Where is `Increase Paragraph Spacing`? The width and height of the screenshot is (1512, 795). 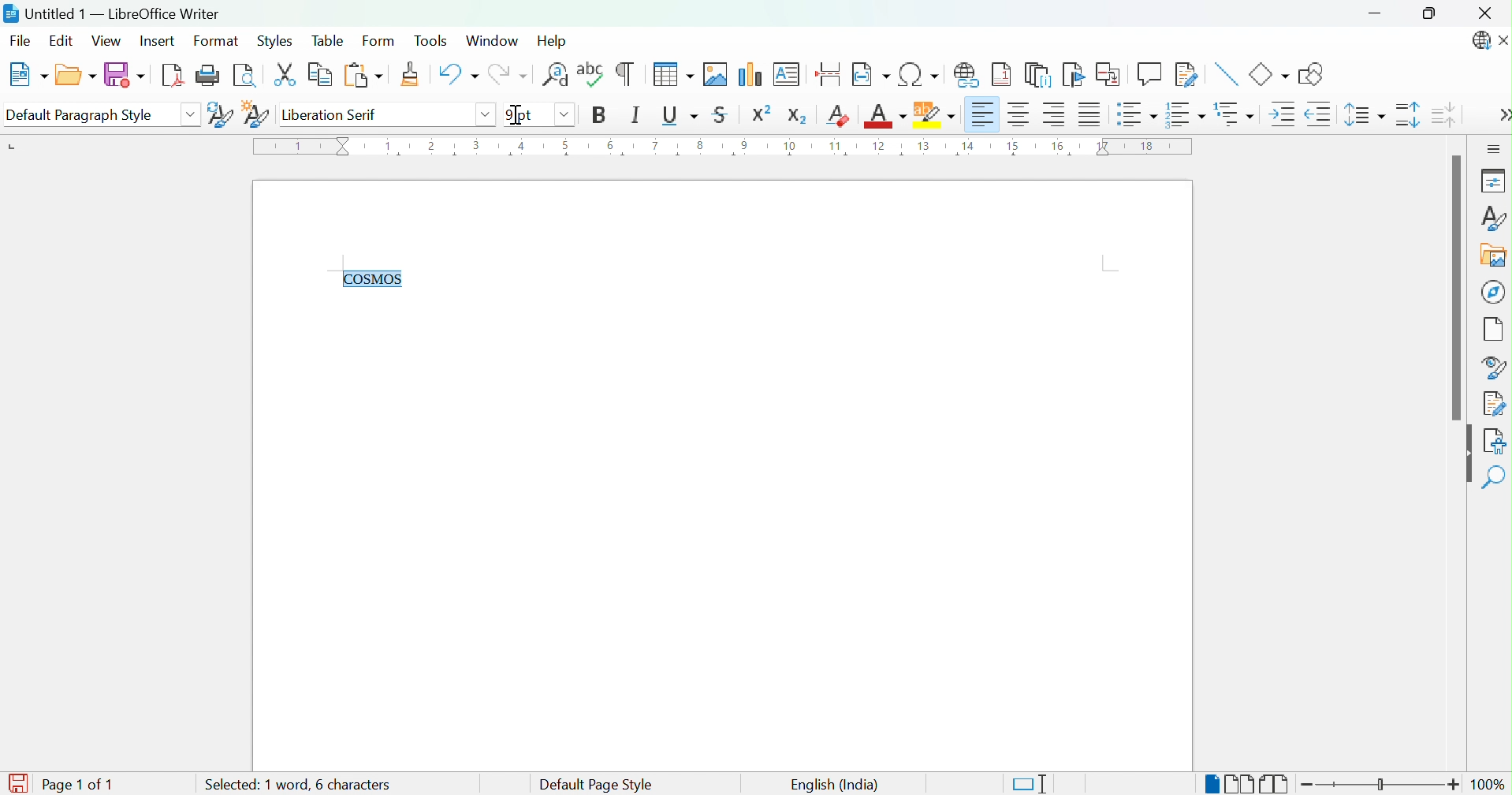
Increase Paragraph Spacing is located at coordinates (1408, 116).